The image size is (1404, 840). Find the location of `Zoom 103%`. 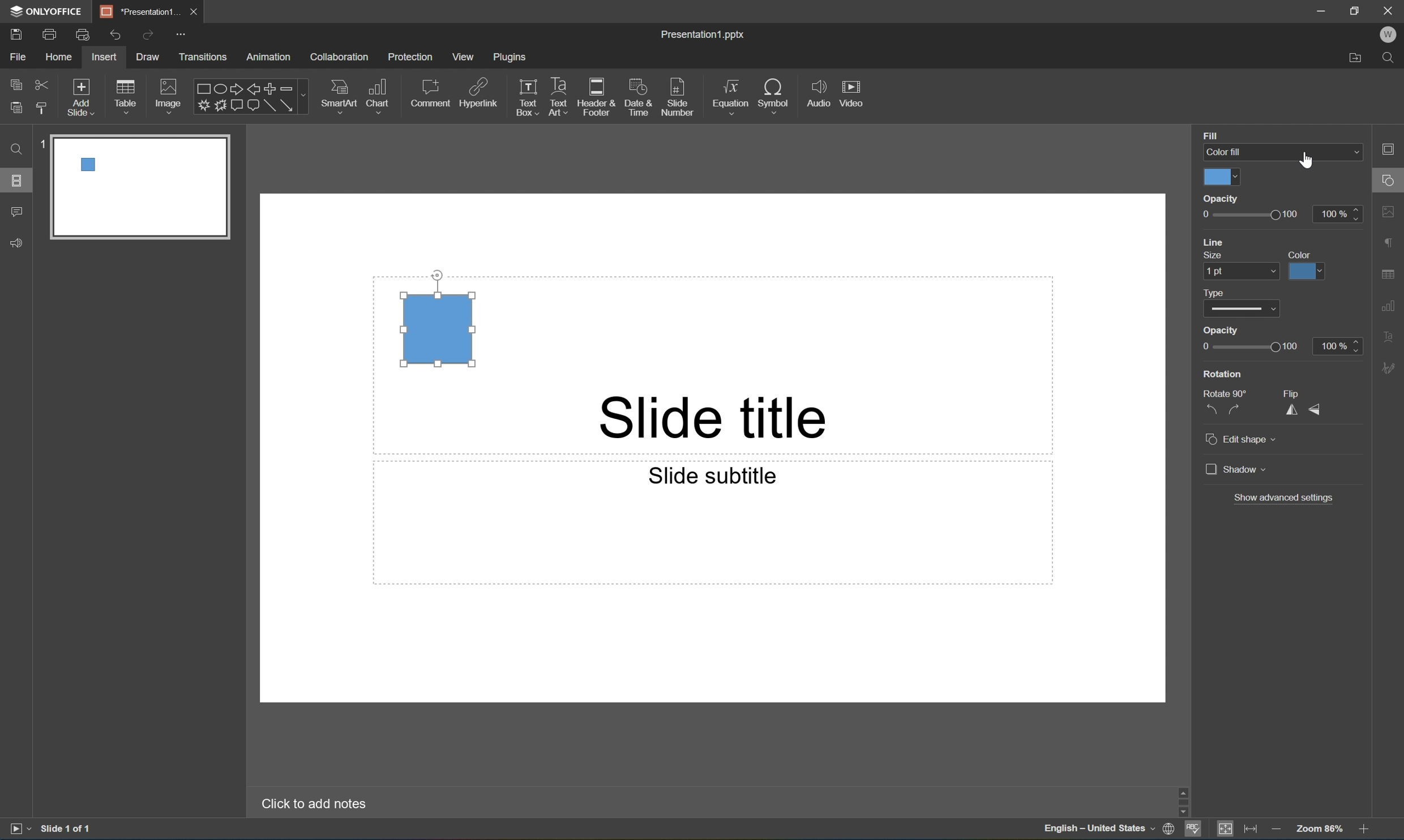

Zoom 103% is located at coordinates (1319, 828).